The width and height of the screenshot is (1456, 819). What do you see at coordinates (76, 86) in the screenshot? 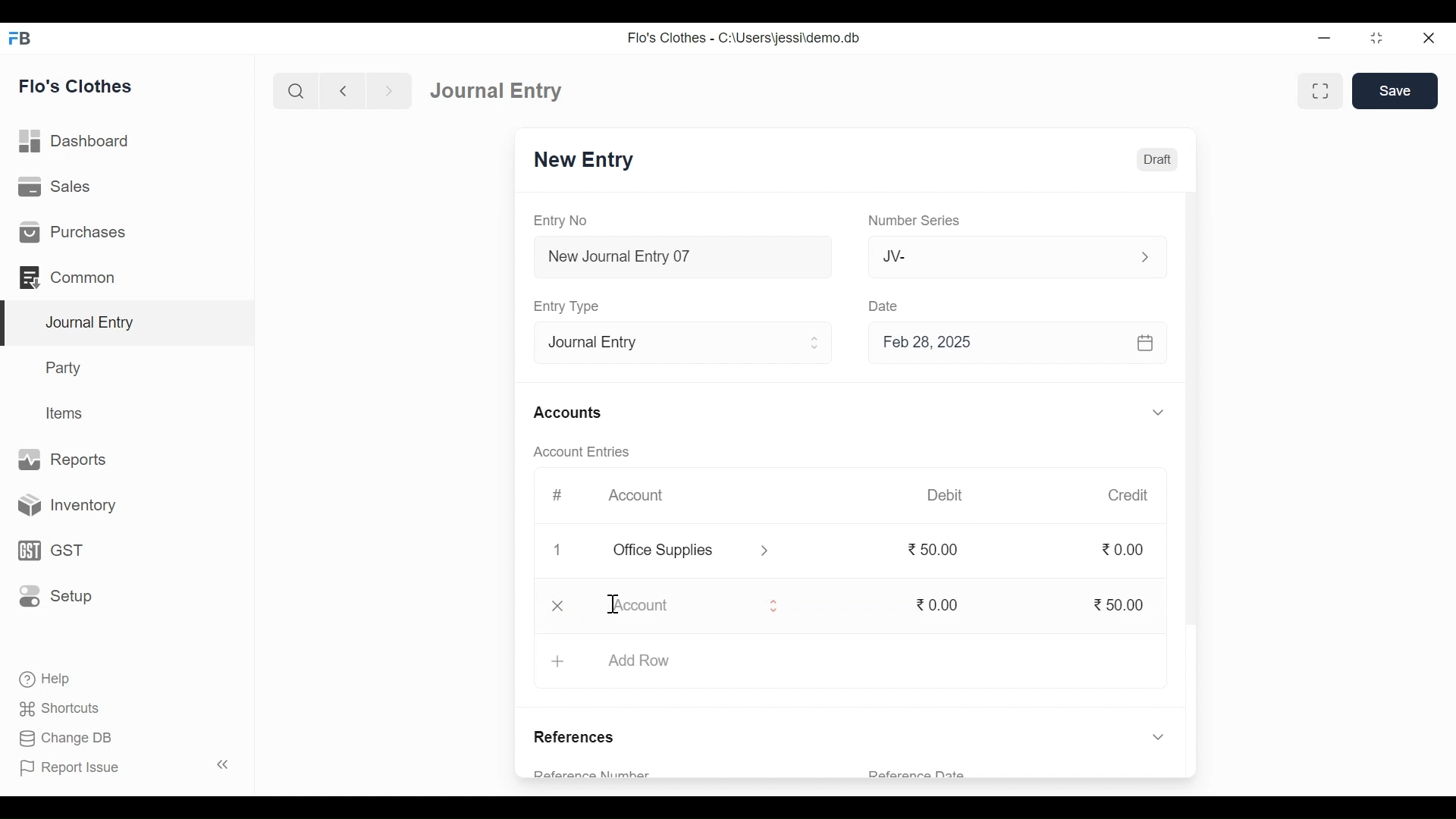
I see `Flo's Clothes` at bounding box center [76, 86].